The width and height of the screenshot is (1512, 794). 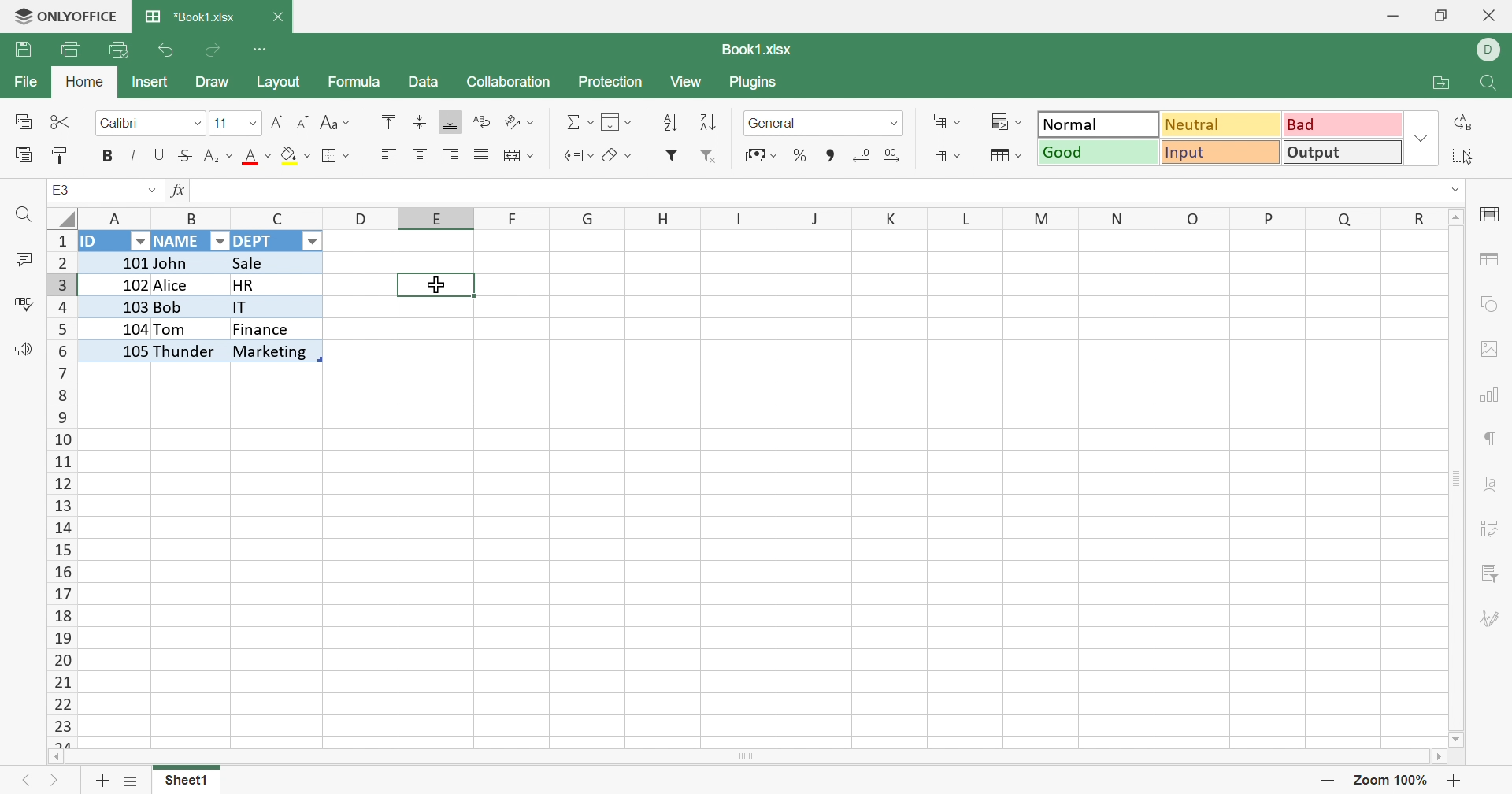 What do you see at coordinates (107, 158) in the screenshot?
I see `Bold` at bounding box center [107, 158].